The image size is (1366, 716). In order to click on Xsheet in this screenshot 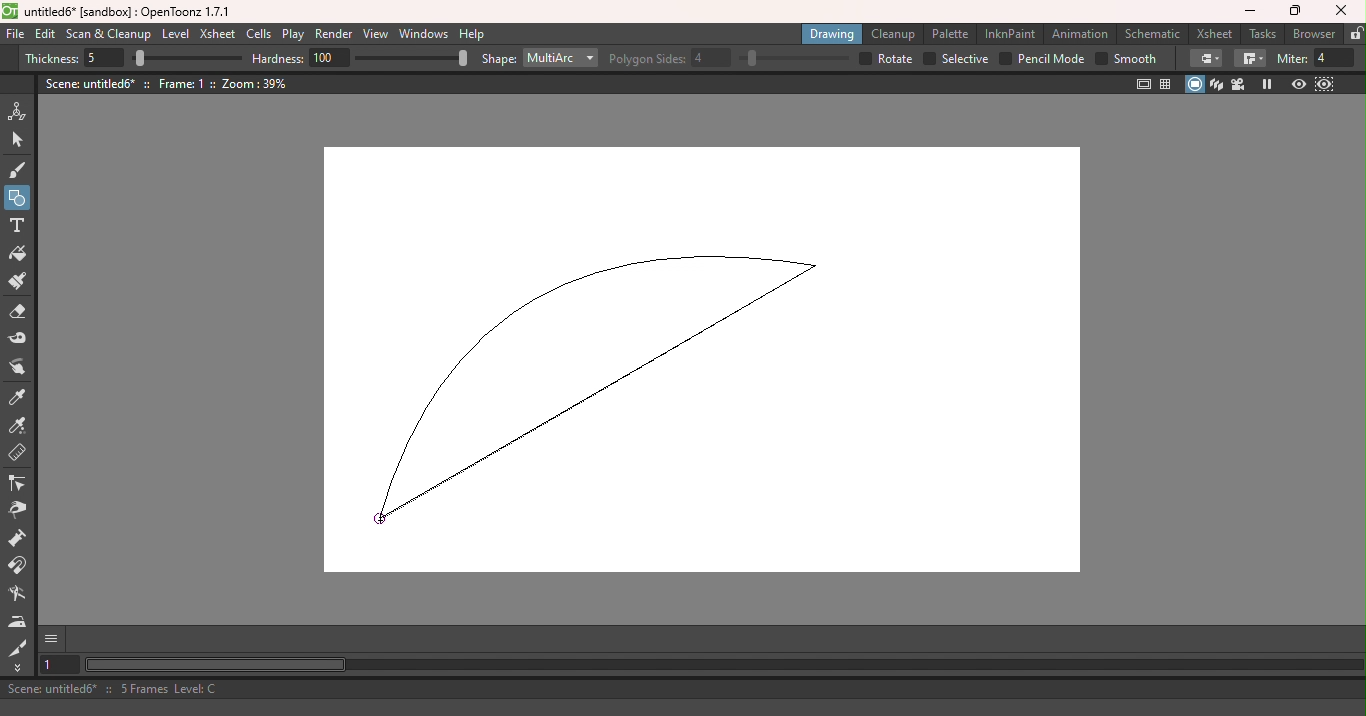, I will do `click(216, 34)`.